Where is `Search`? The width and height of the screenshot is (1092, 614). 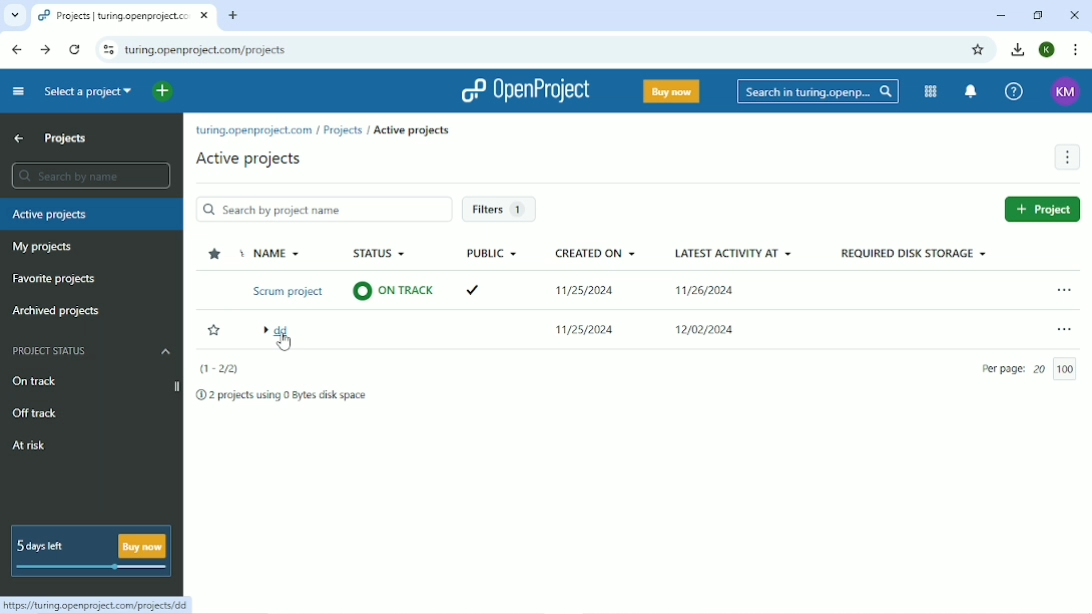 Search is located at coordinates (819, 92).